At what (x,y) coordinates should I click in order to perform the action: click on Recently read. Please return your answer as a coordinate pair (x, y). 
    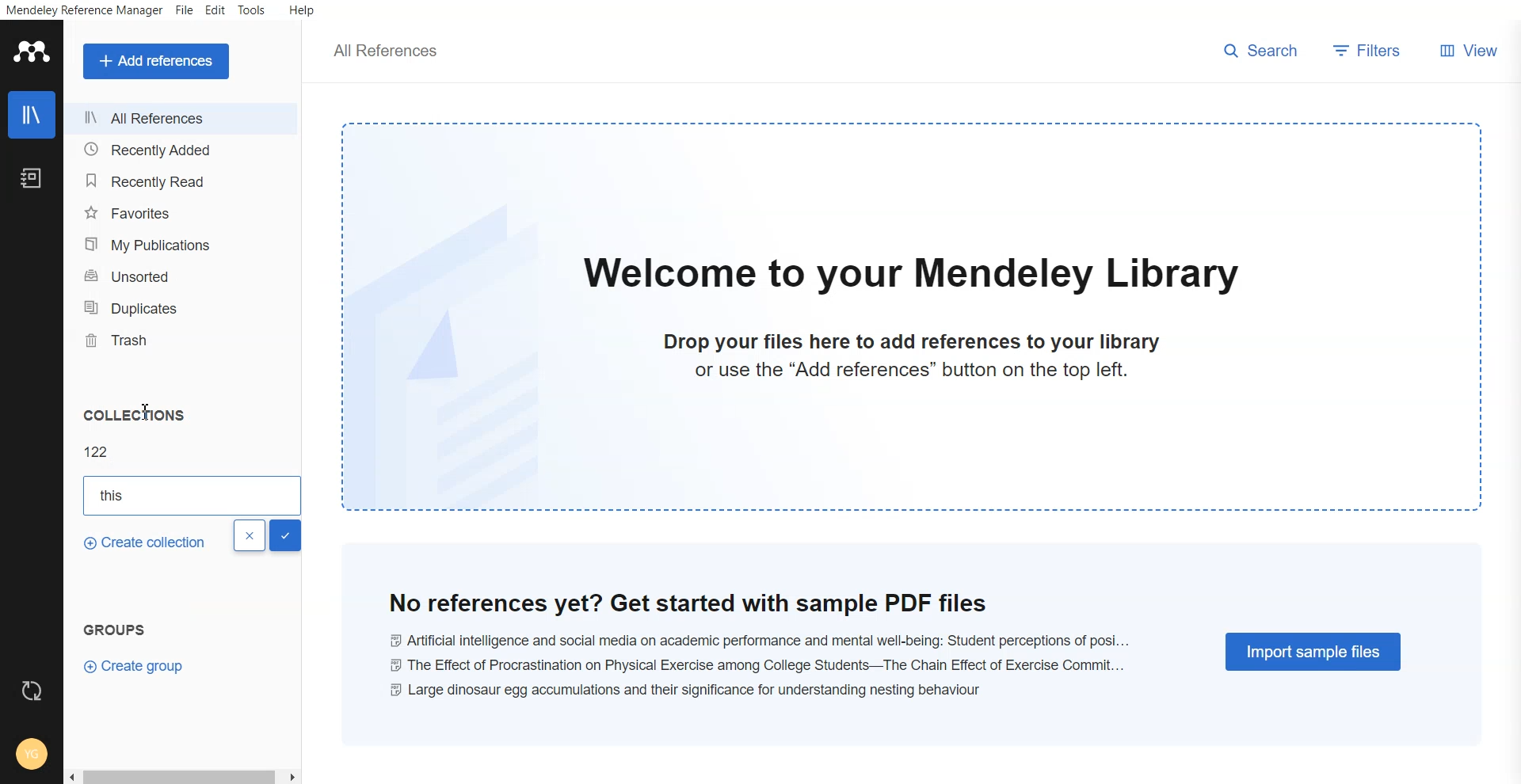
    Looking at the image, I should click on (183, 179).